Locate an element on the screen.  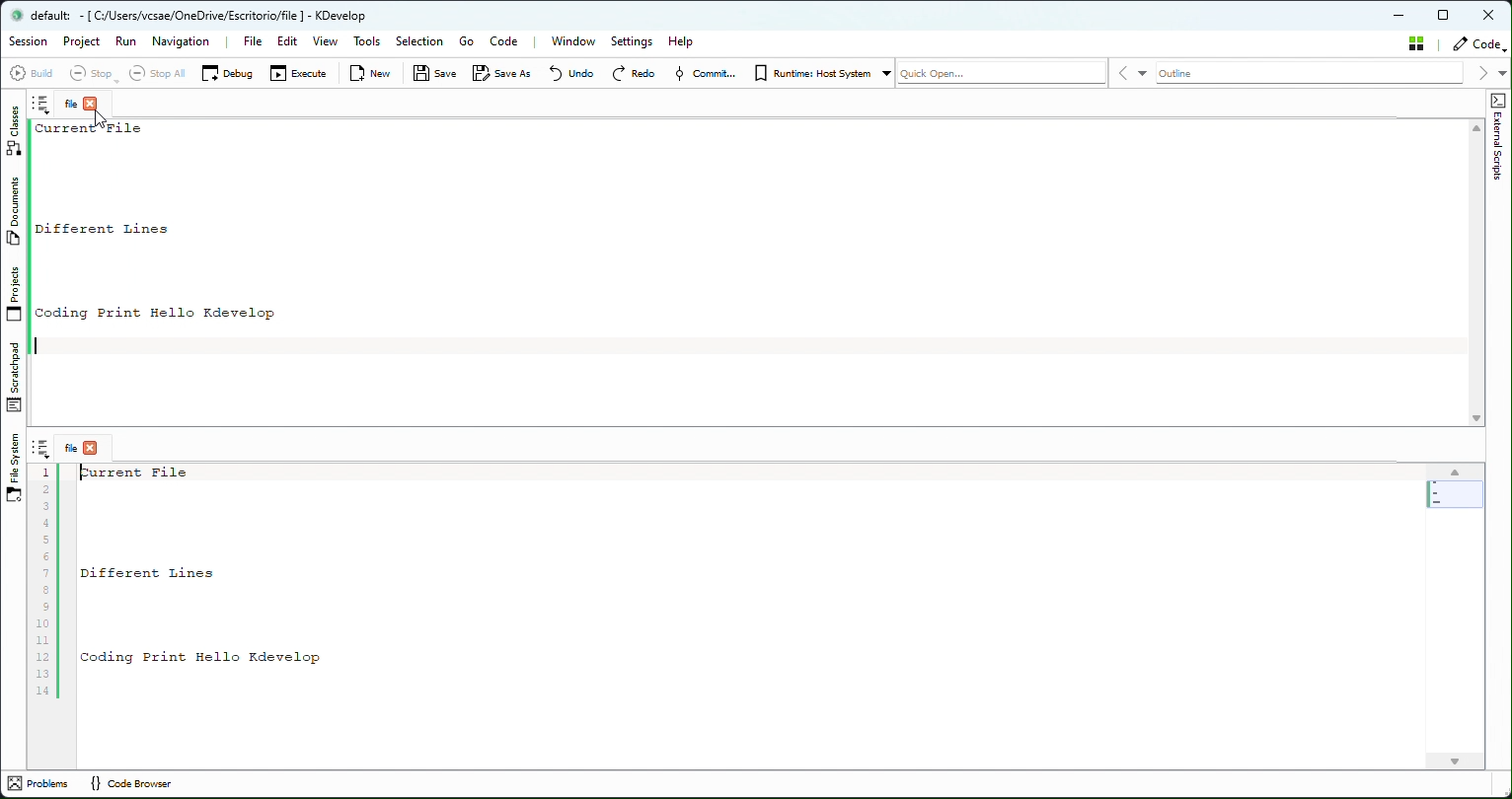
Stop all is located at coordinates (159, 74).